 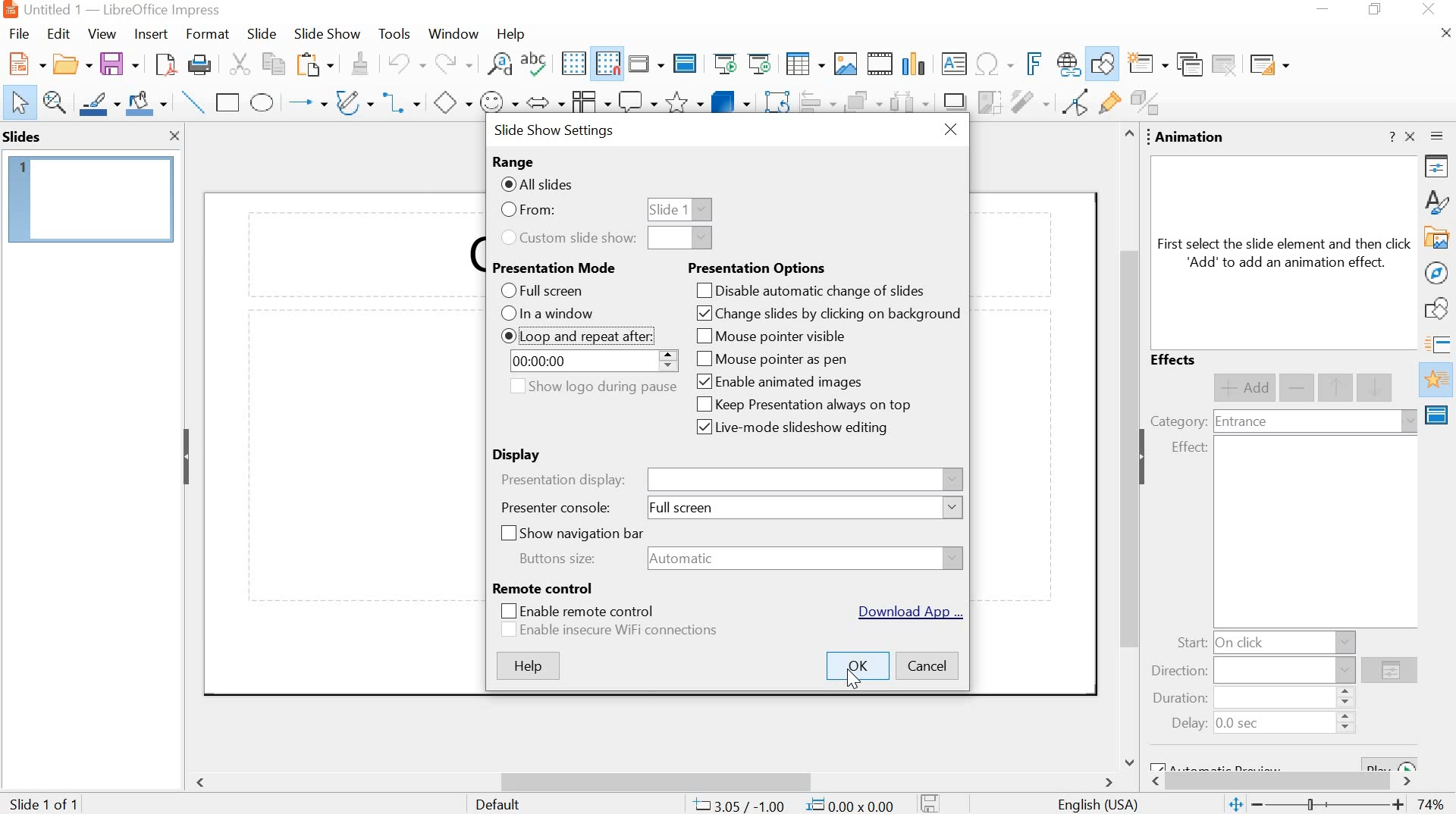 I want to click on curves and polygons, so click(x=354, y=102).